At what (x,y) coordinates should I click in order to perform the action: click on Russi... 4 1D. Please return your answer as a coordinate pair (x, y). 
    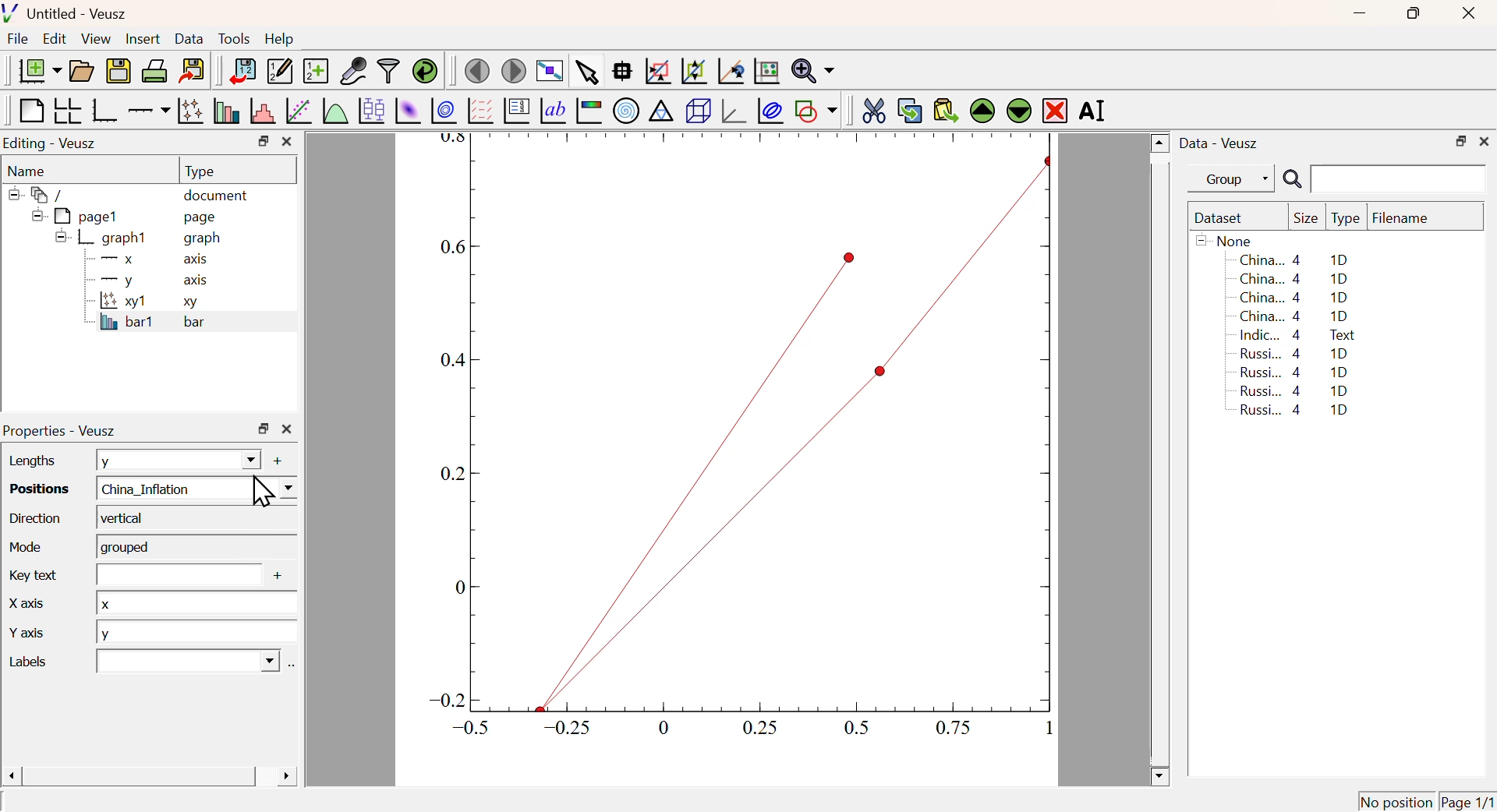
    Looking at the image, I should click on (1297, 353).